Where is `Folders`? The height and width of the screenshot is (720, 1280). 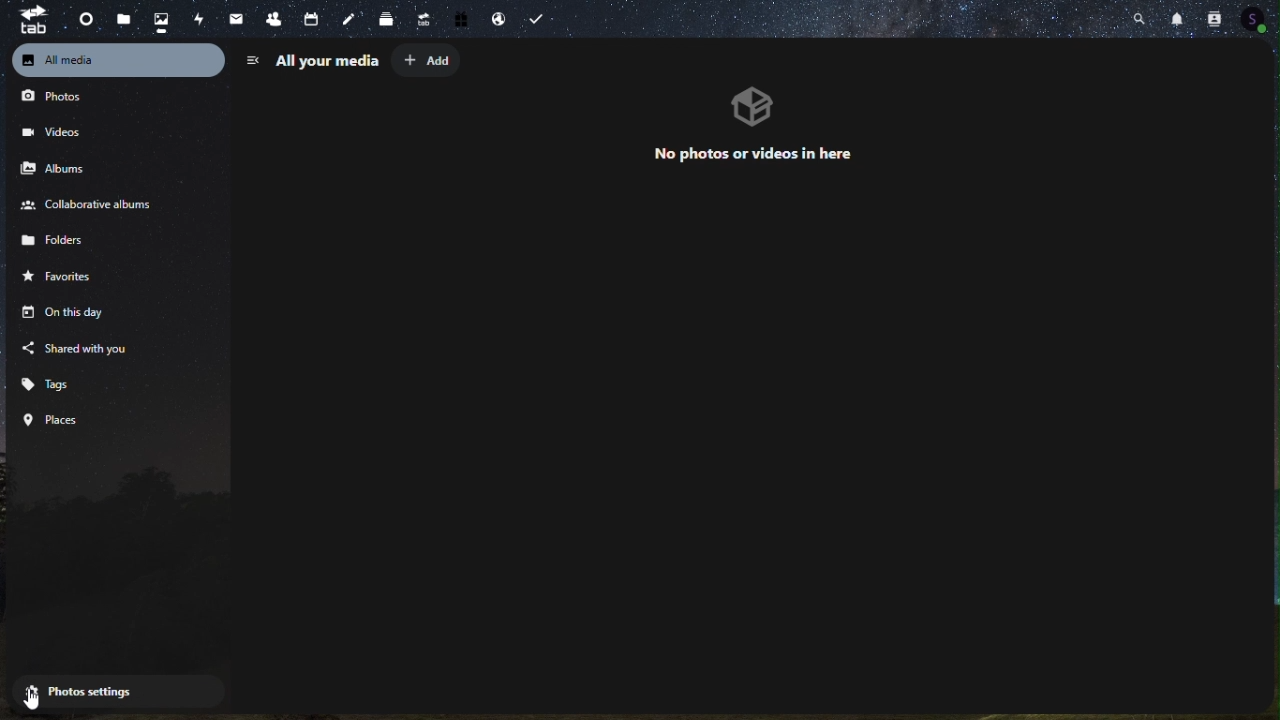
Folders is located at coordinates (70, 245).